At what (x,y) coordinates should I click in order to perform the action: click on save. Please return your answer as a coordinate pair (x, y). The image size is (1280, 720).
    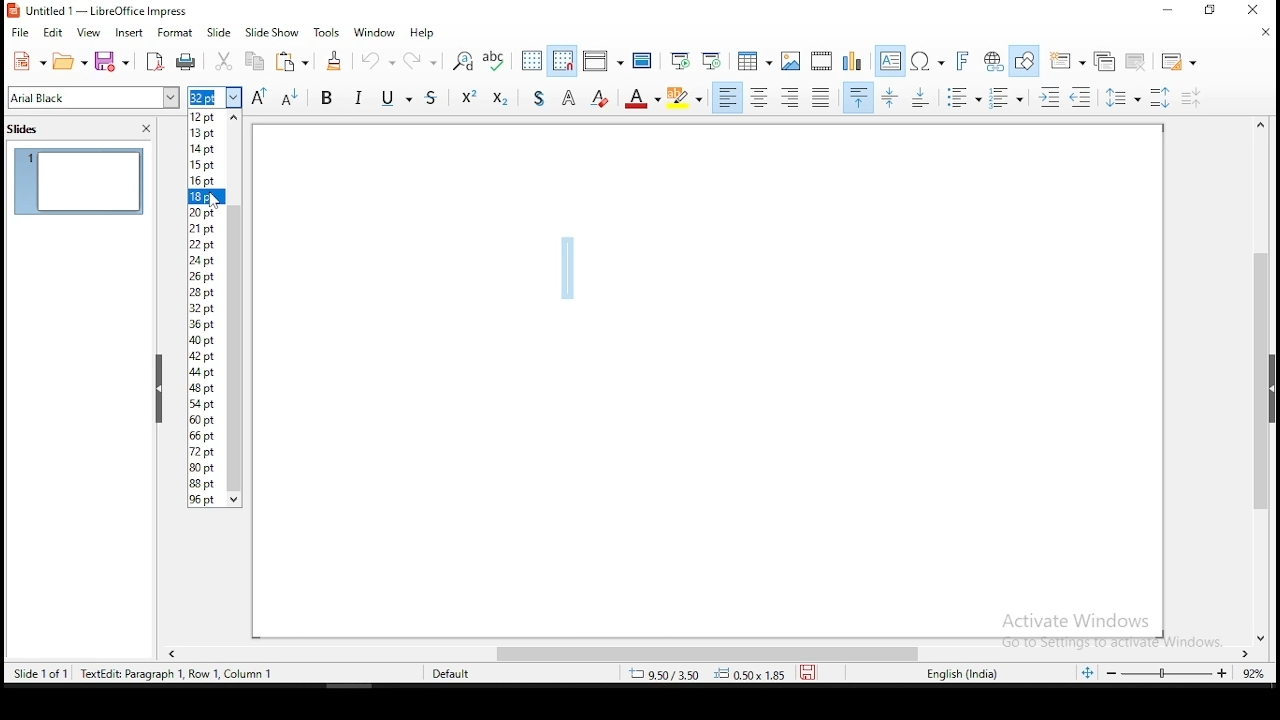
    Looking at the image, I should click on (808, 672).